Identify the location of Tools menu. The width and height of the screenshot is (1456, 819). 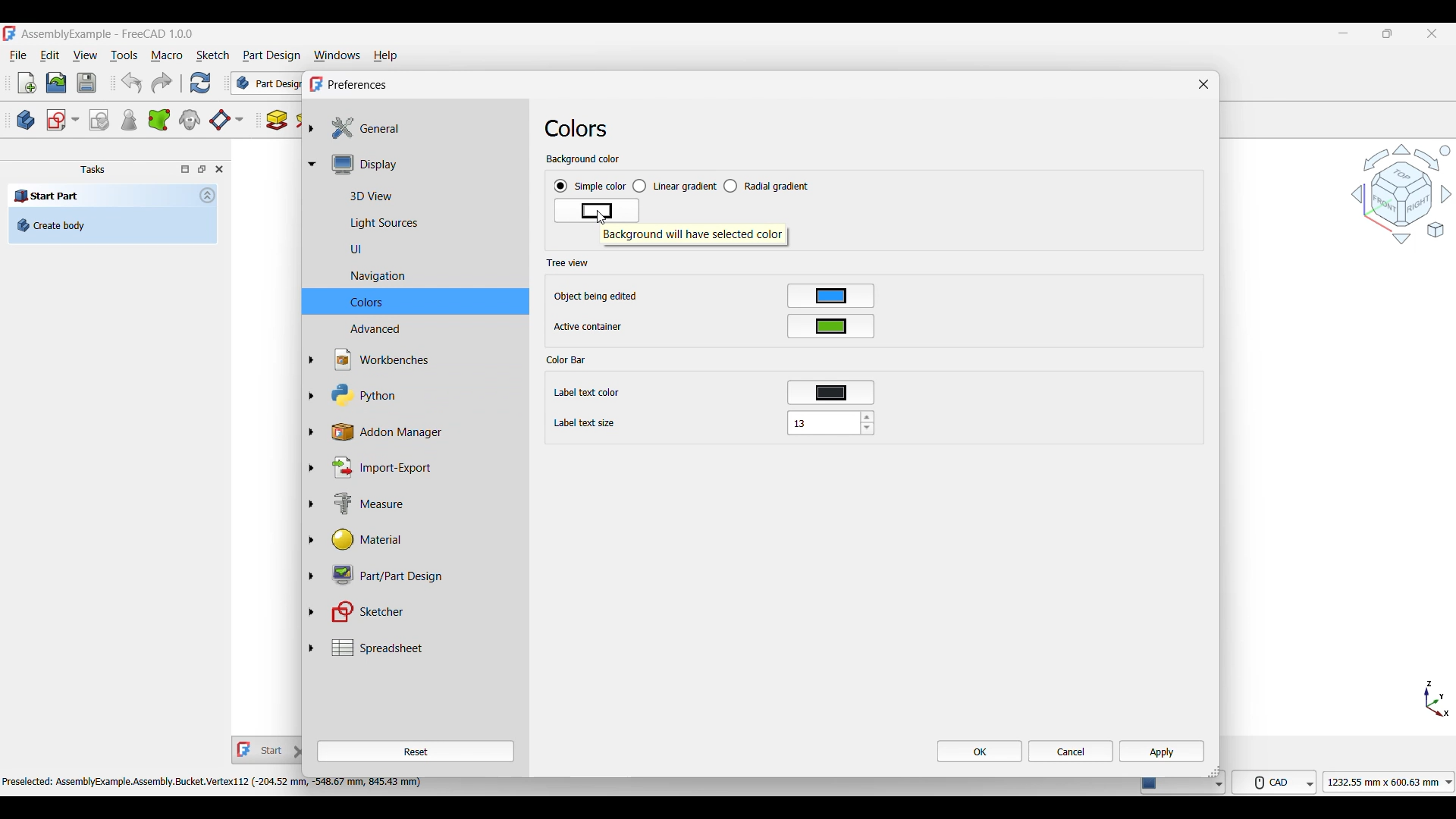
(124, 55).